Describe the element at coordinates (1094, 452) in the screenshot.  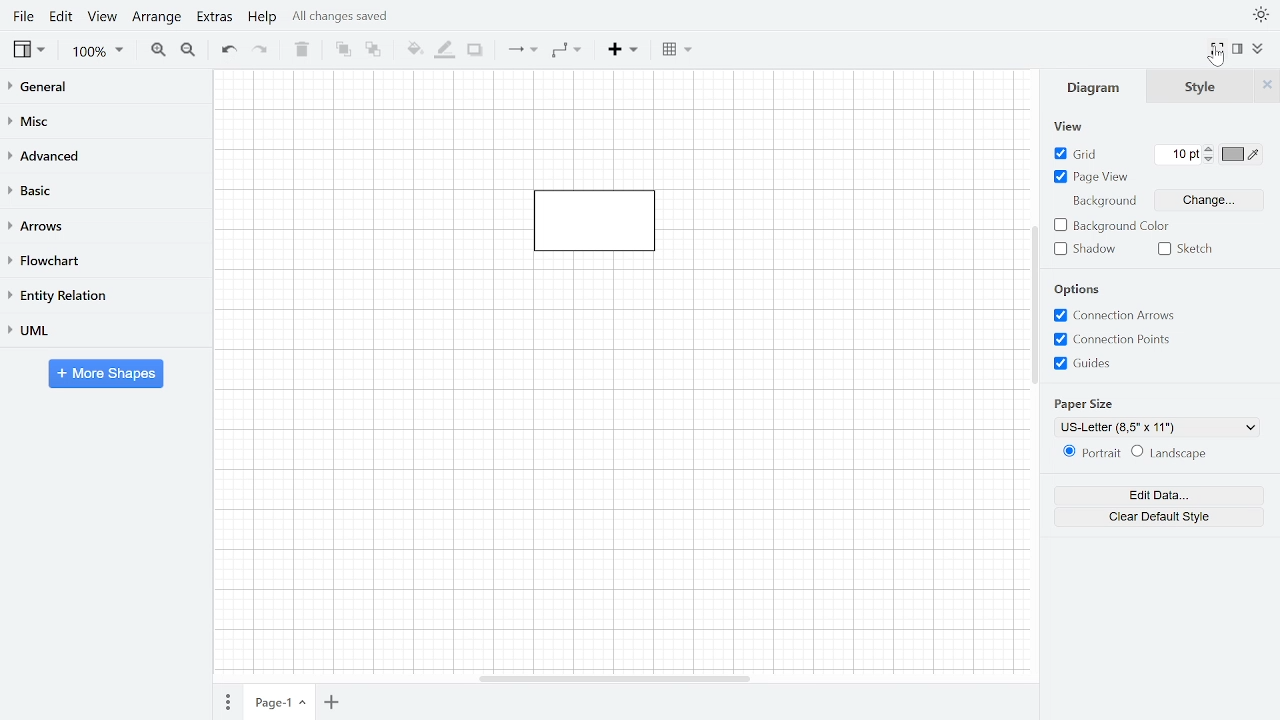
I see `Portrait` at that location.